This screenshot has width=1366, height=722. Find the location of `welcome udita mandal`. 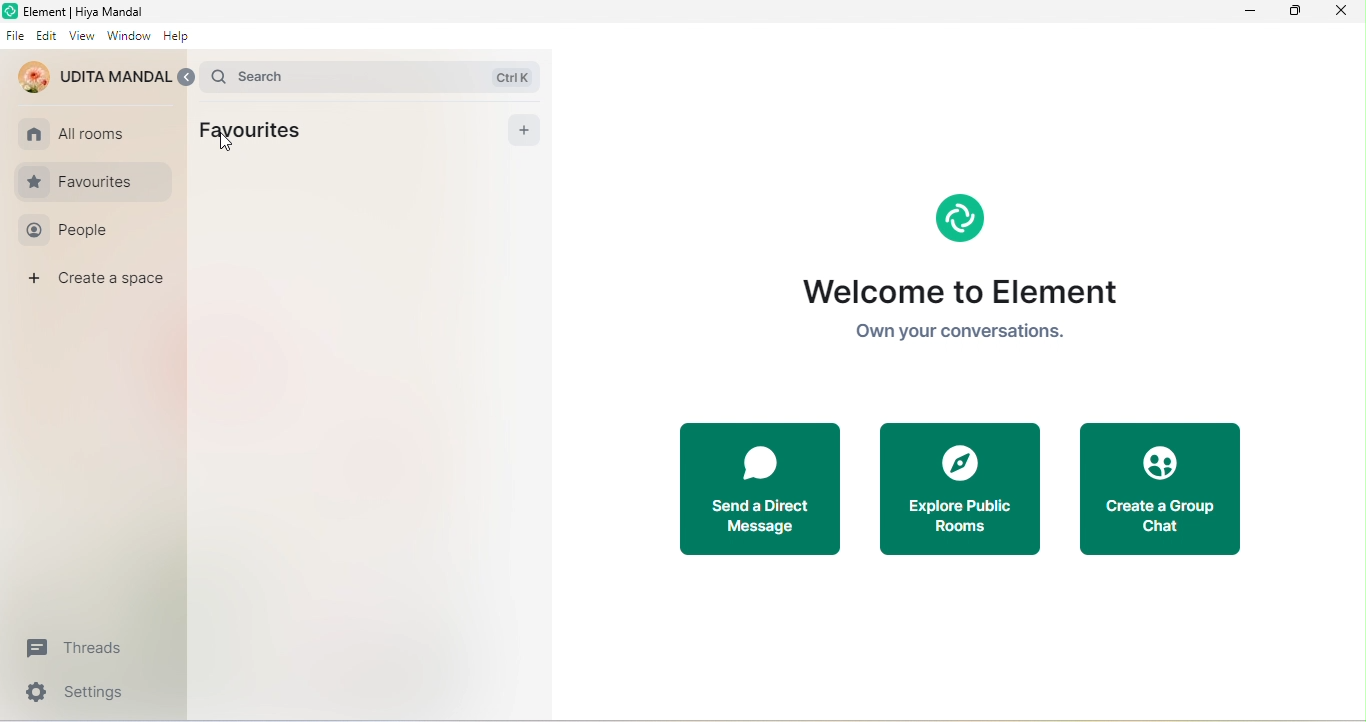

welcome udita mandal is located at coordinates (961, 313).